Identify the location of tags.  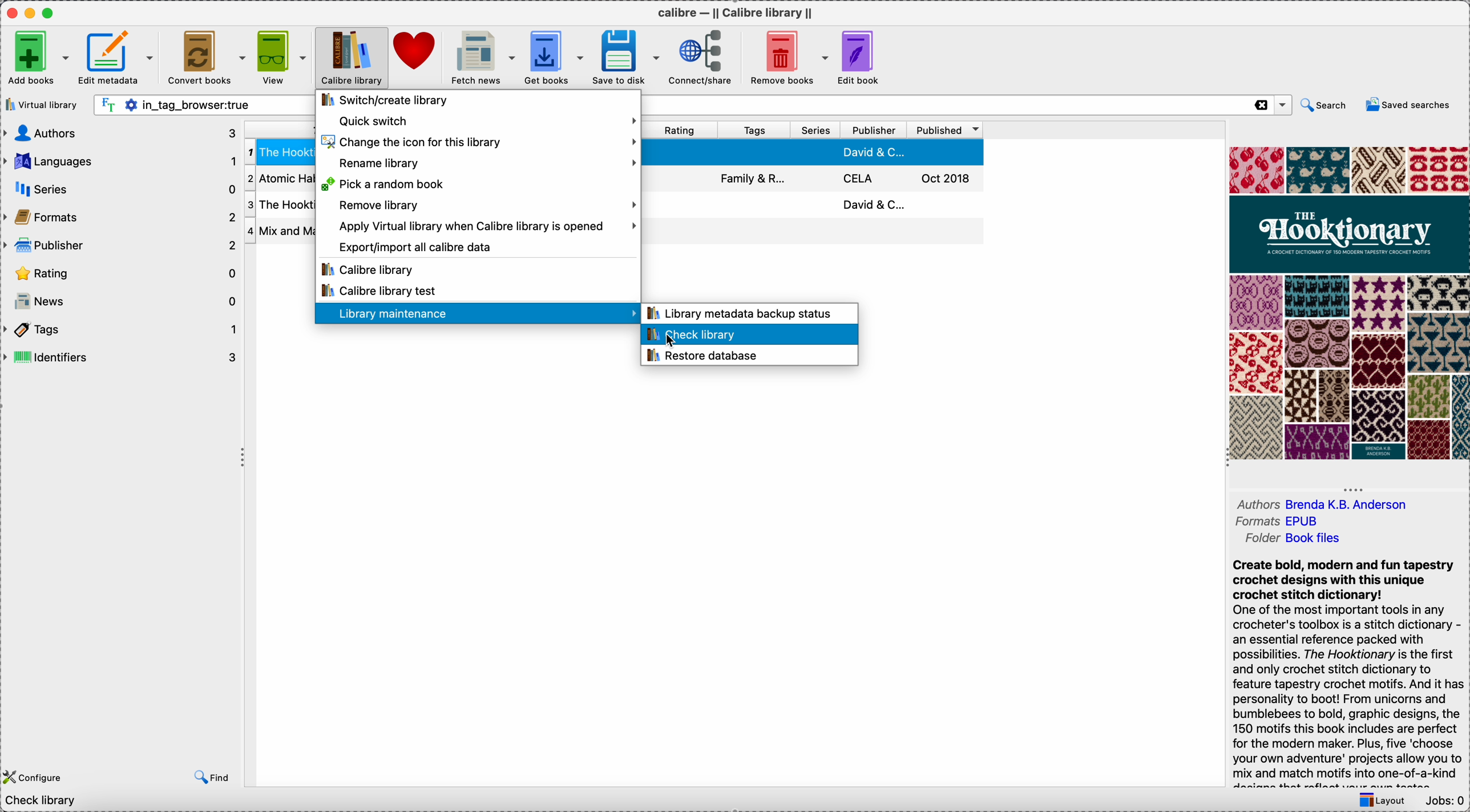
(754, 130).